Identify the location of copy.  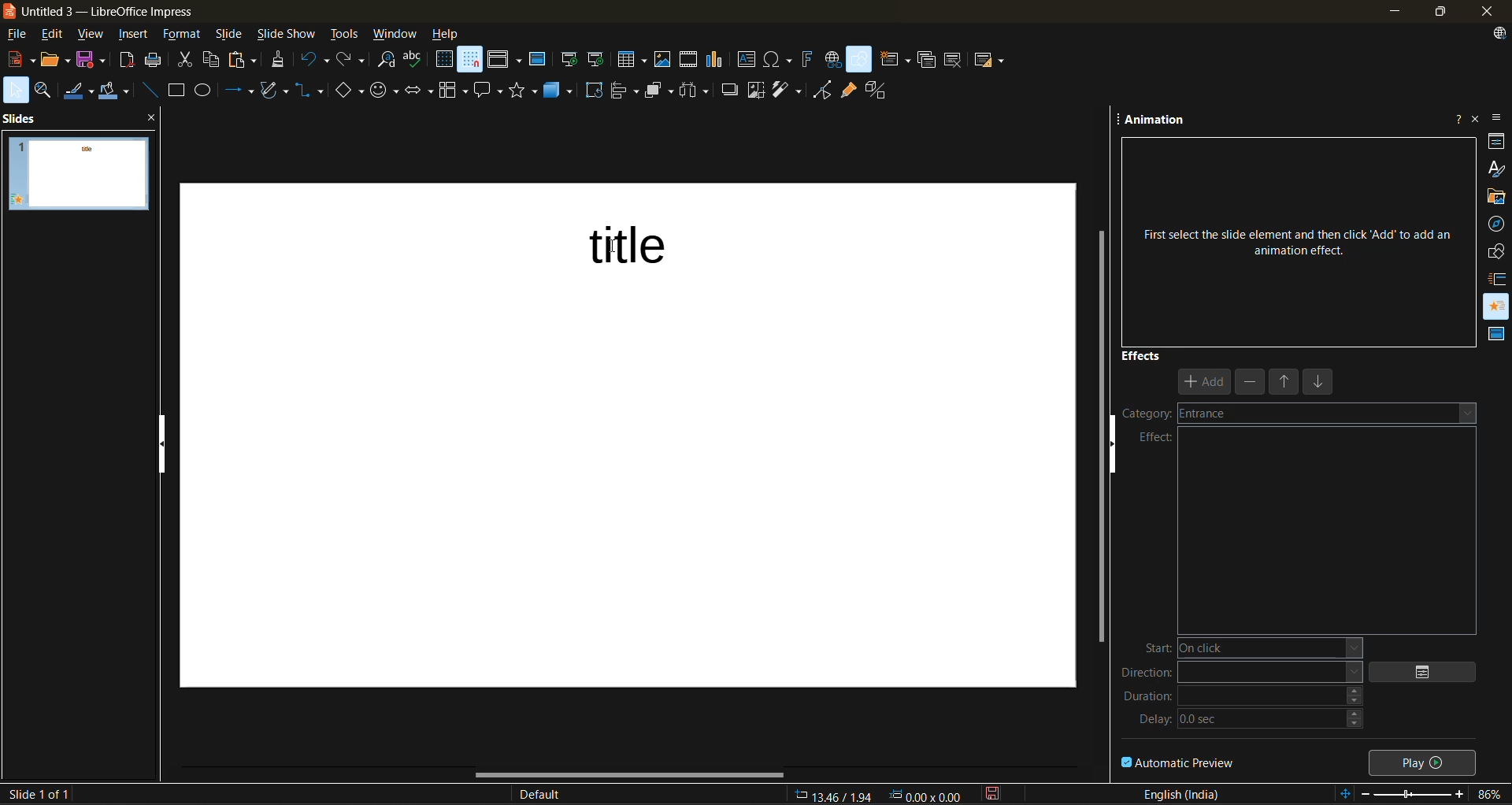
(216, 60).